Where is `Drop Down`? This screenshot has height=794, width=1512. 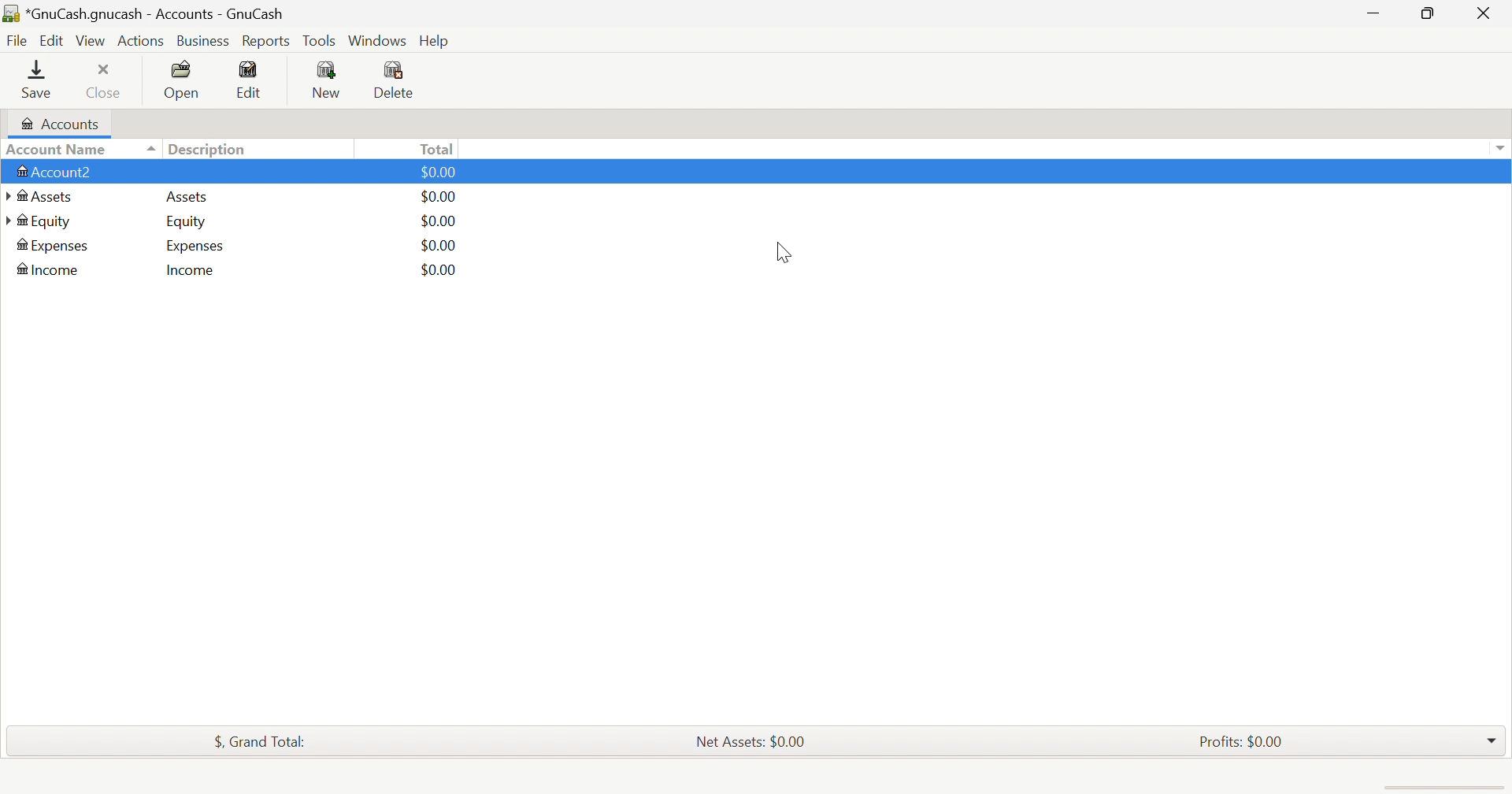
Drop Down is located at coordinates (1503, 150).